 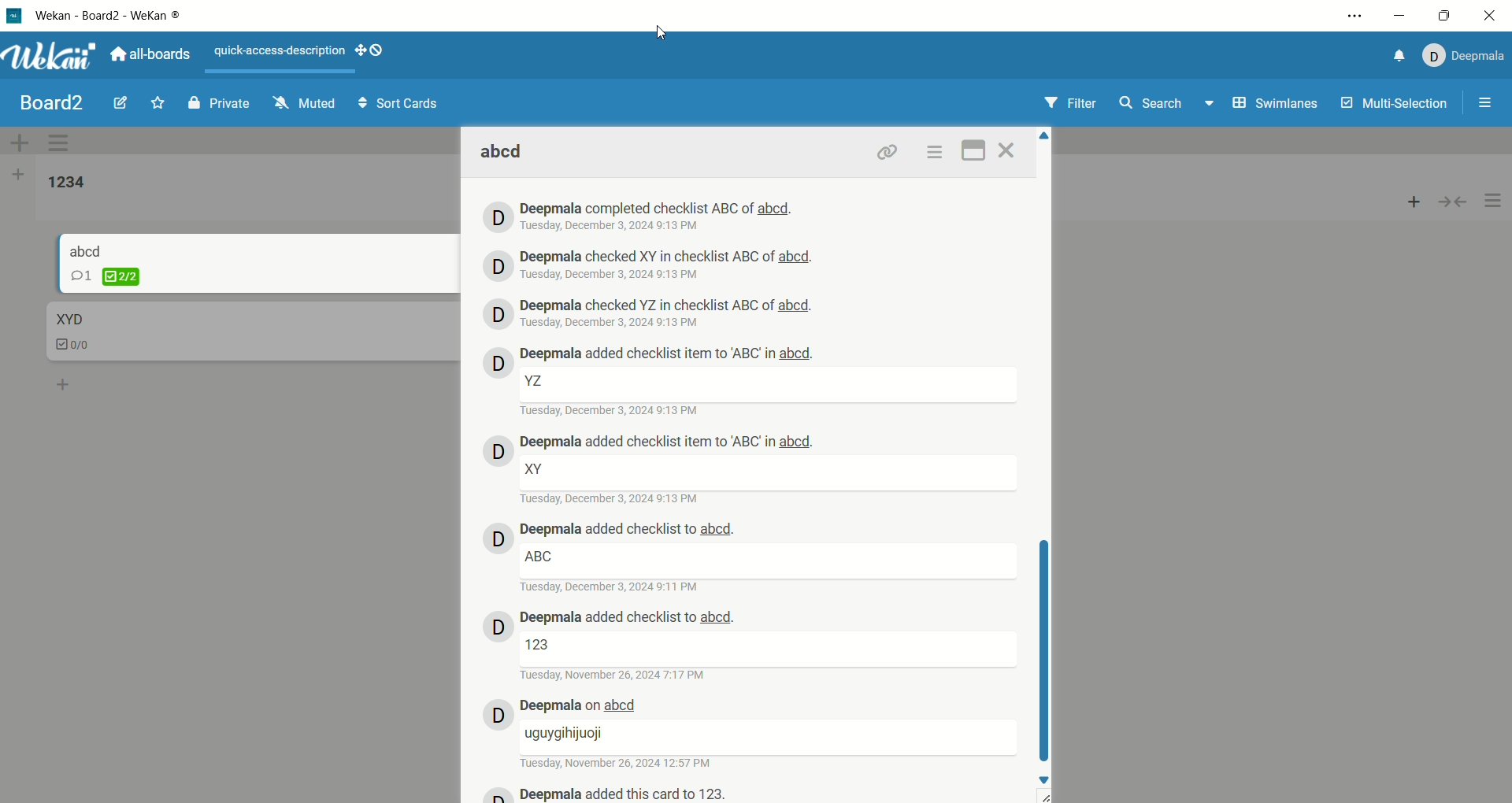 What do you see at coordinates (62, 144) in the screenshot?
I see `swimlane actions` at bounding box center [62, 144].